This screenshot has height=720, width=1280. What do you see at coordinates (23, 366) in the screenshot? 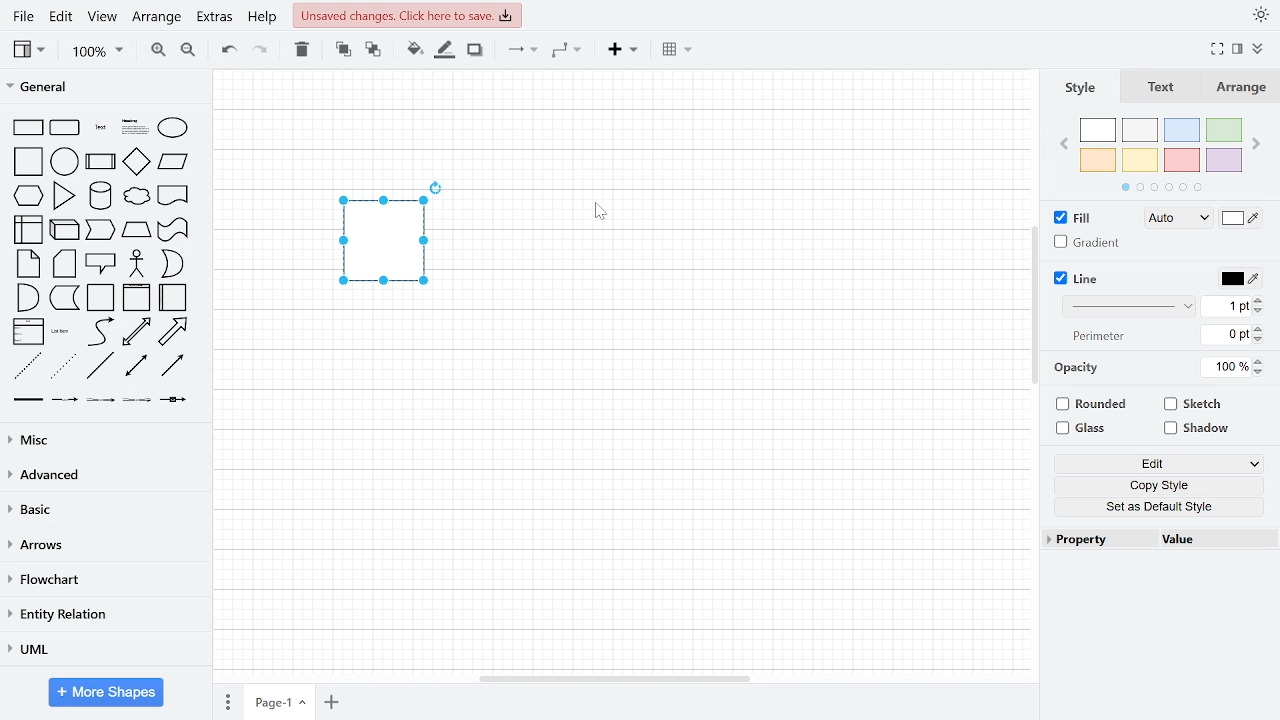
I see `dashed line` at bounding box center [23, 366].